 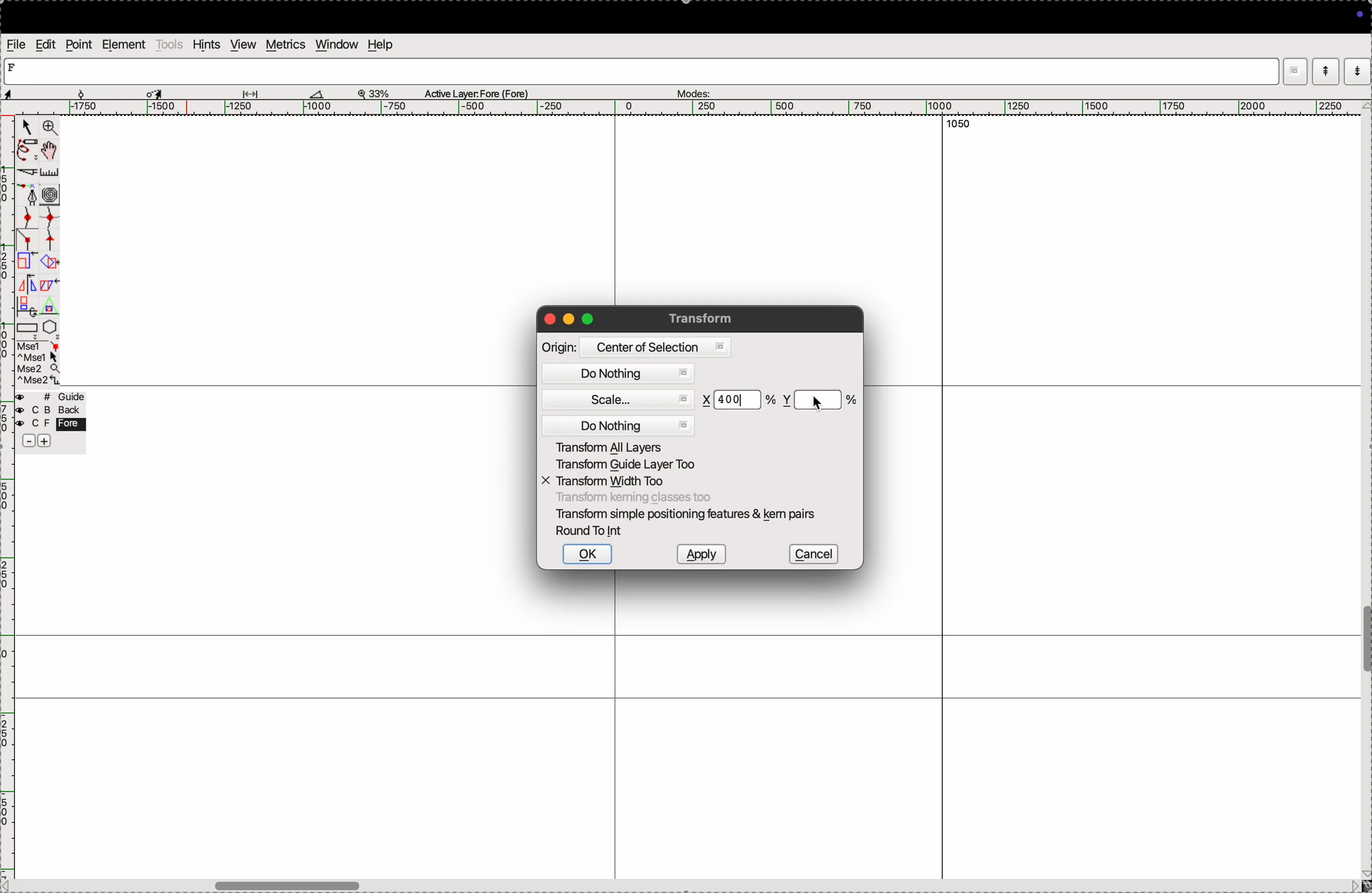 What do you see at coordinates (477, 92) in the screenshot?
I see `Active layer` at bounding box center [477, 92].